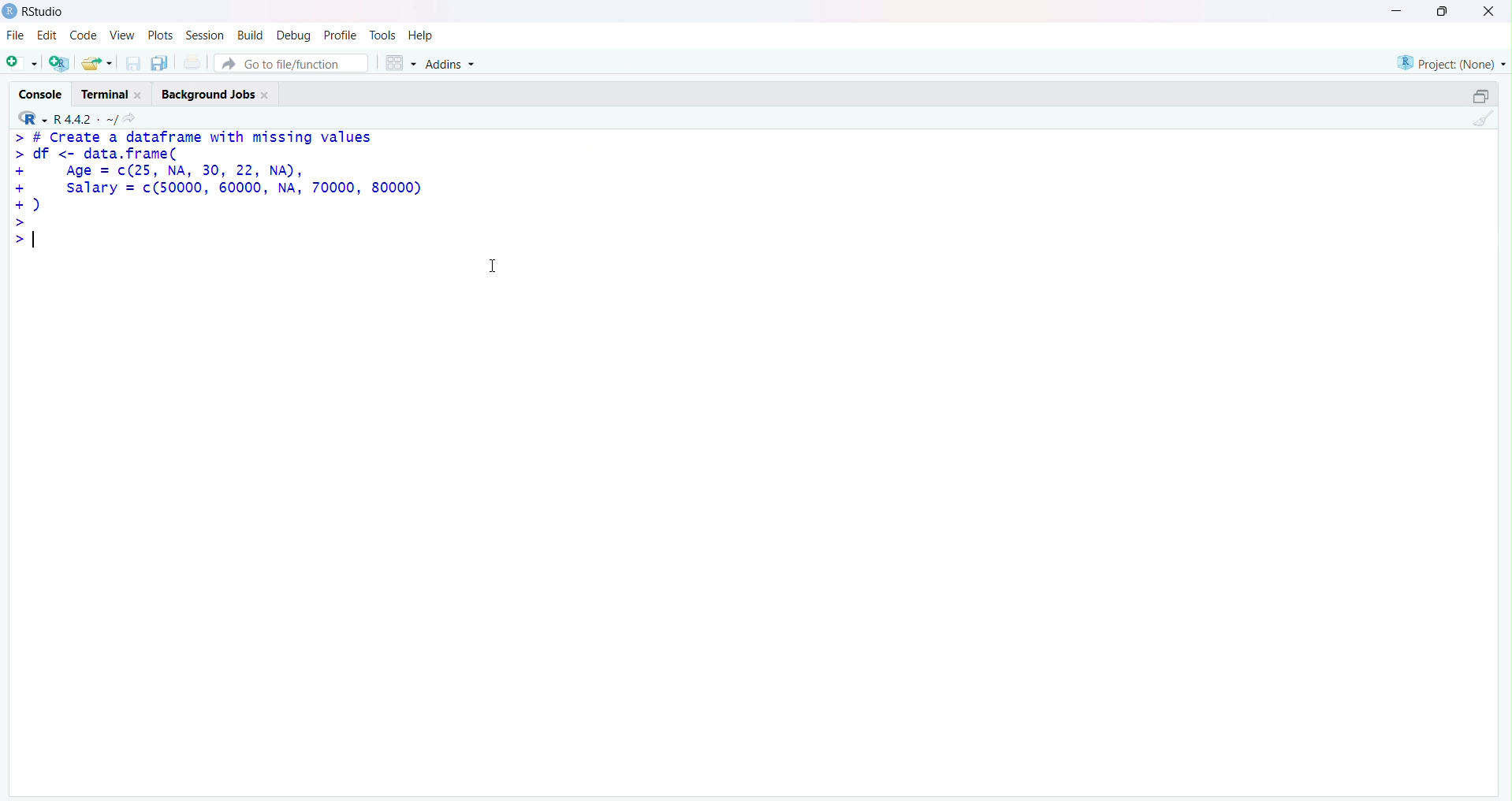  I want to click on Debug, so click(296, 35).